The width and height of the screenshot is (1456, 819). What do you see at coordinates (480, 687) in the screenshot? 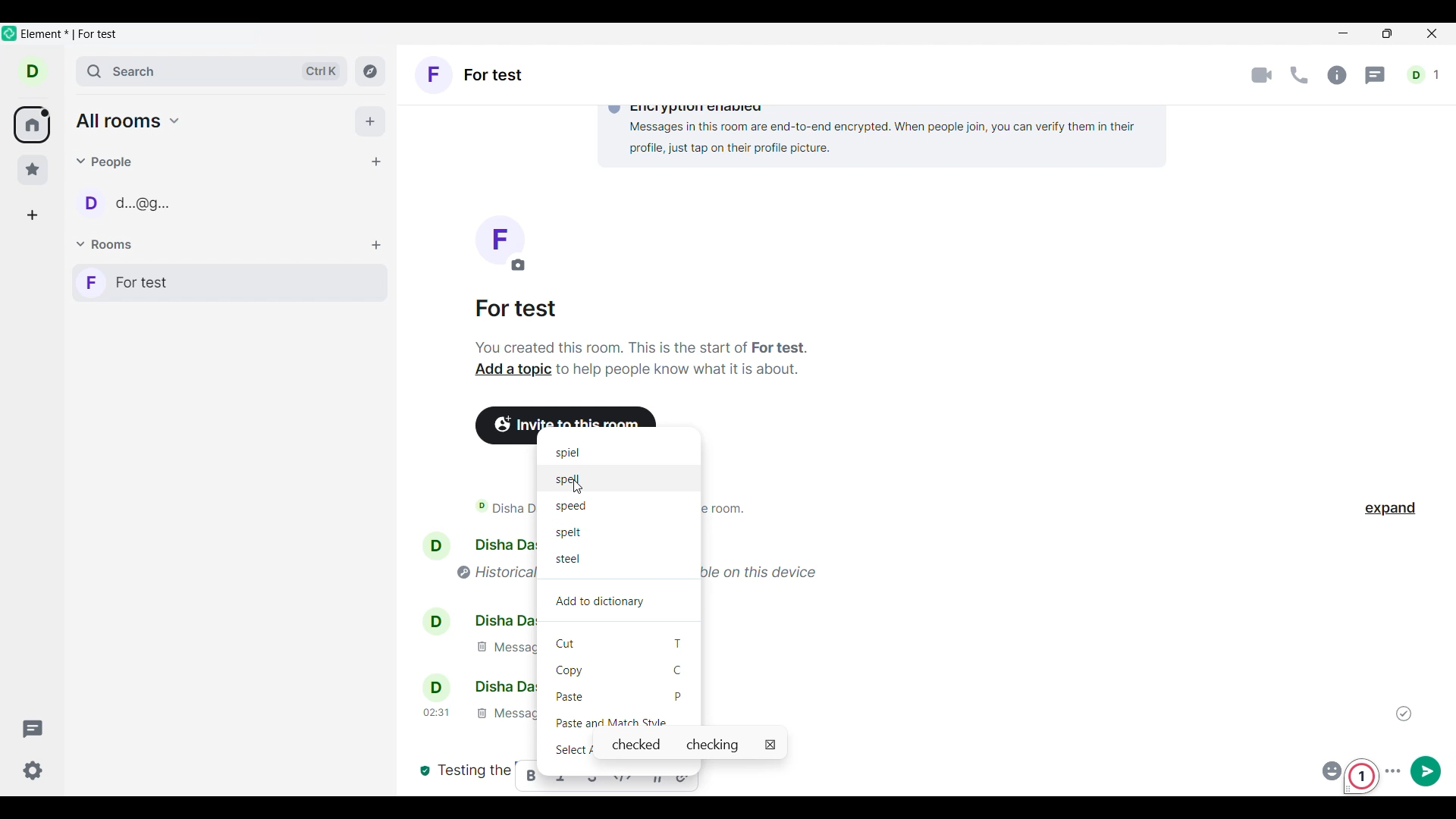
I see `disha das` at bounding box center [480, 687].